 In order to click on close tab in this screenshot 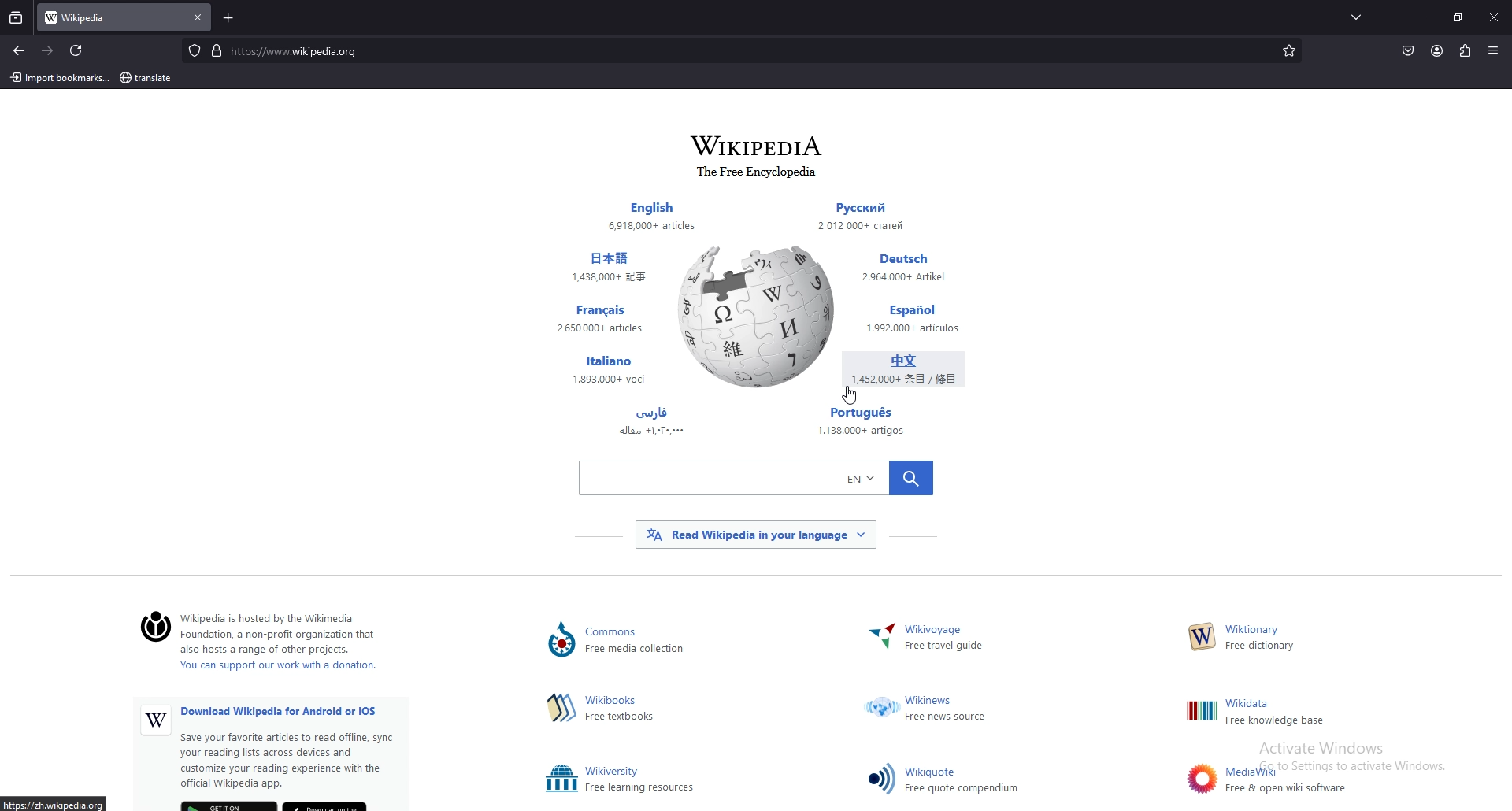, I will do `click(198, 17)`.